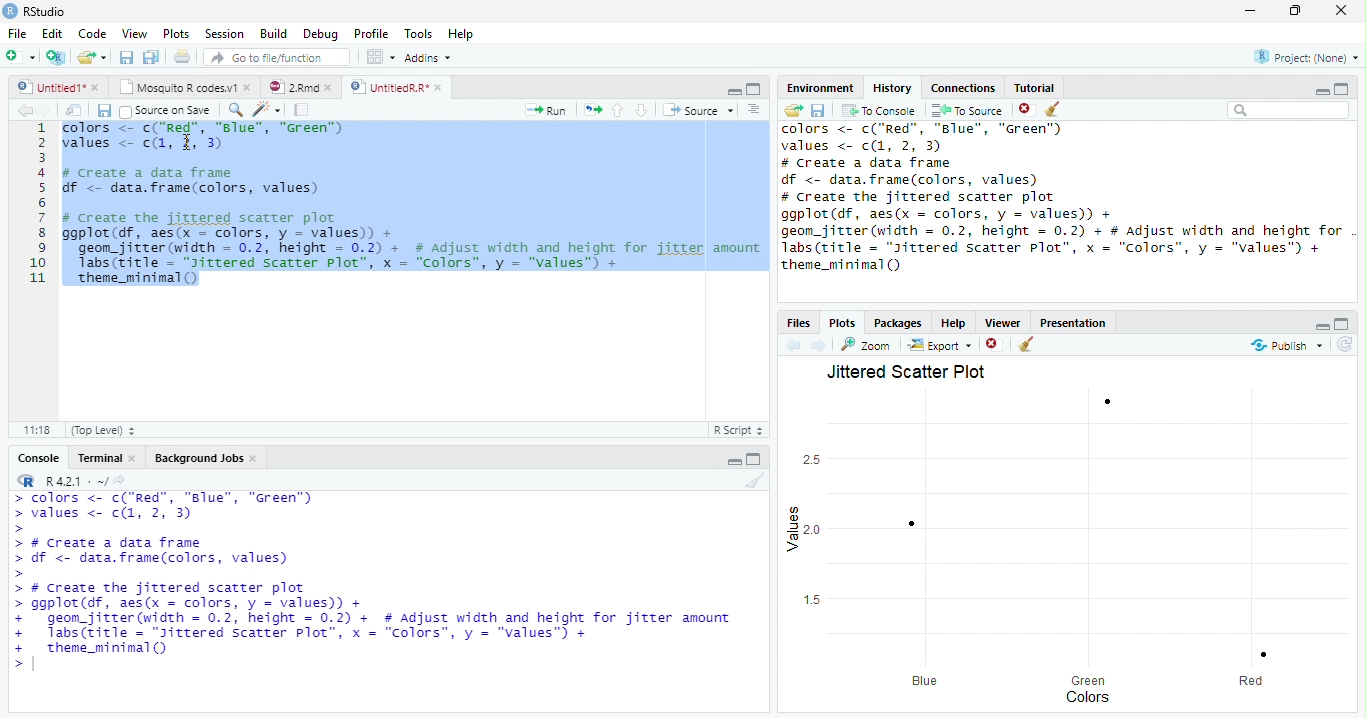 The height and width of the screenshot is (718, 1366). Describe the element at coordinates (372, 33) in the screenshot. I see `Profile` at that location.